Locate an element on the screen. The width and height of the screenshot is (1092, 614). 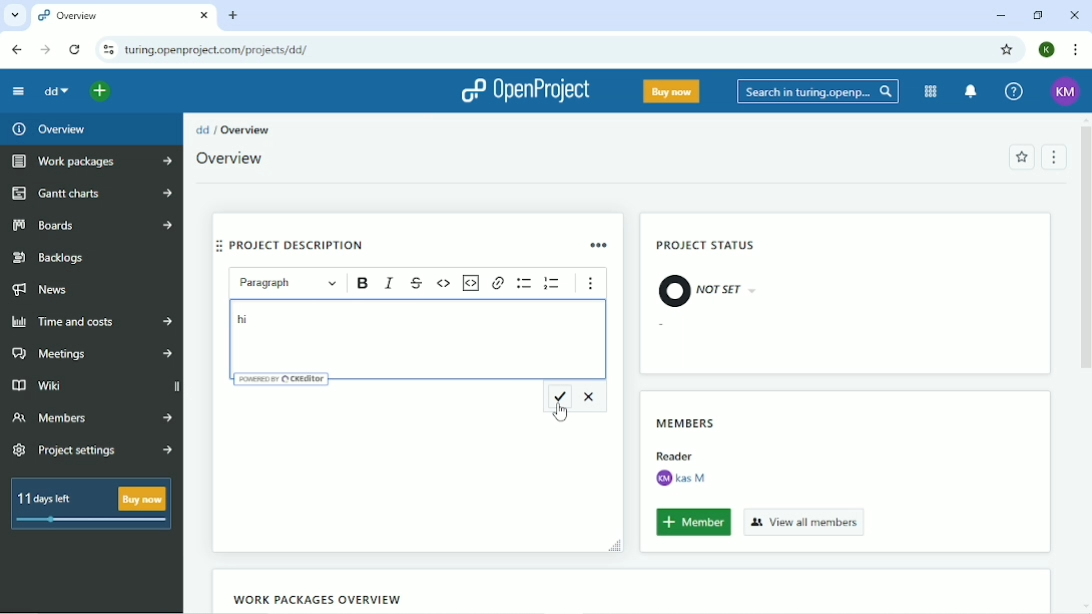
Members is located at coordinates (686, 419).